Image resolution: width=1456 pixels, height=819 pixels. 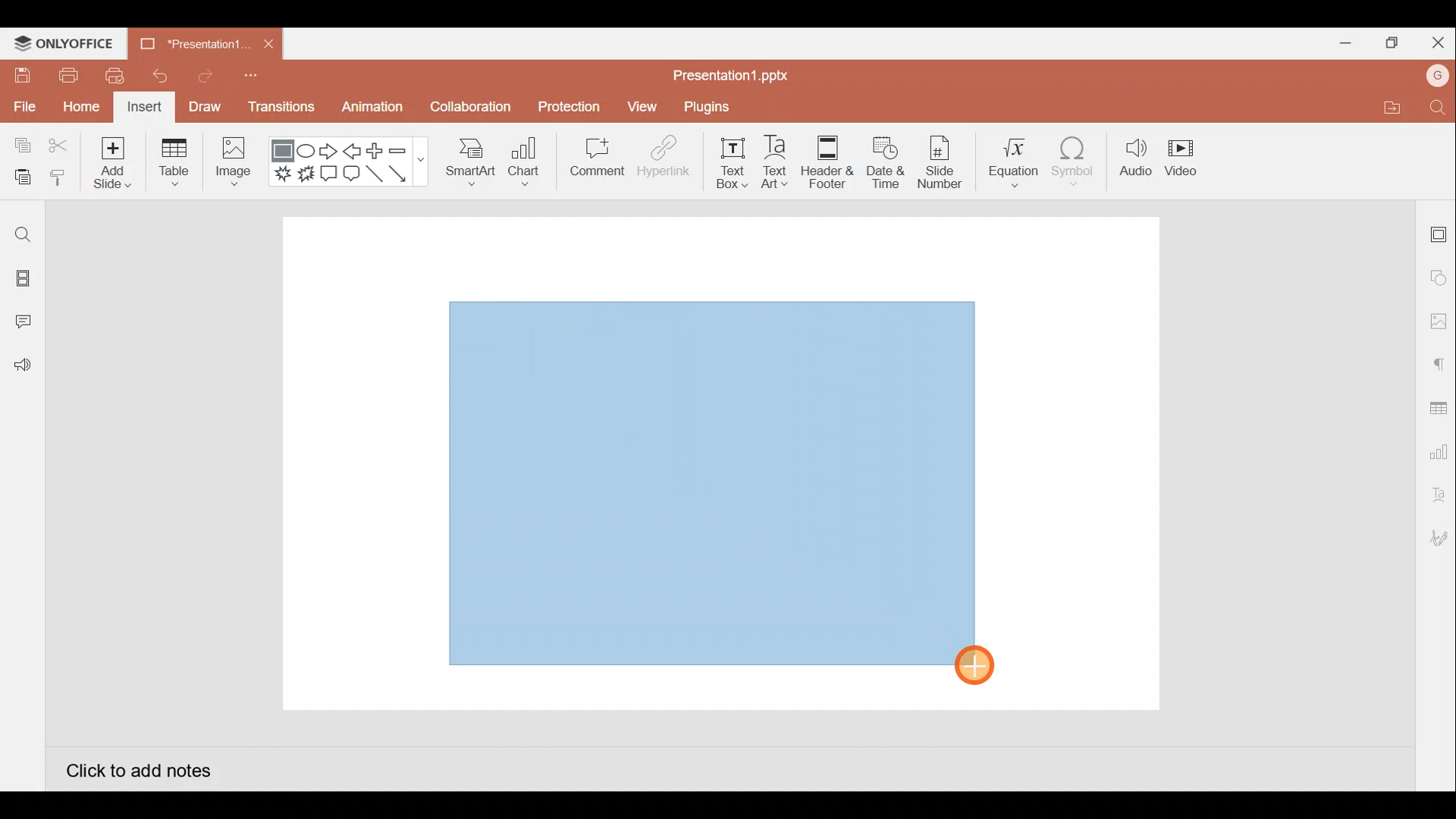 I want to click on Redo, so click(x=199, y=75).